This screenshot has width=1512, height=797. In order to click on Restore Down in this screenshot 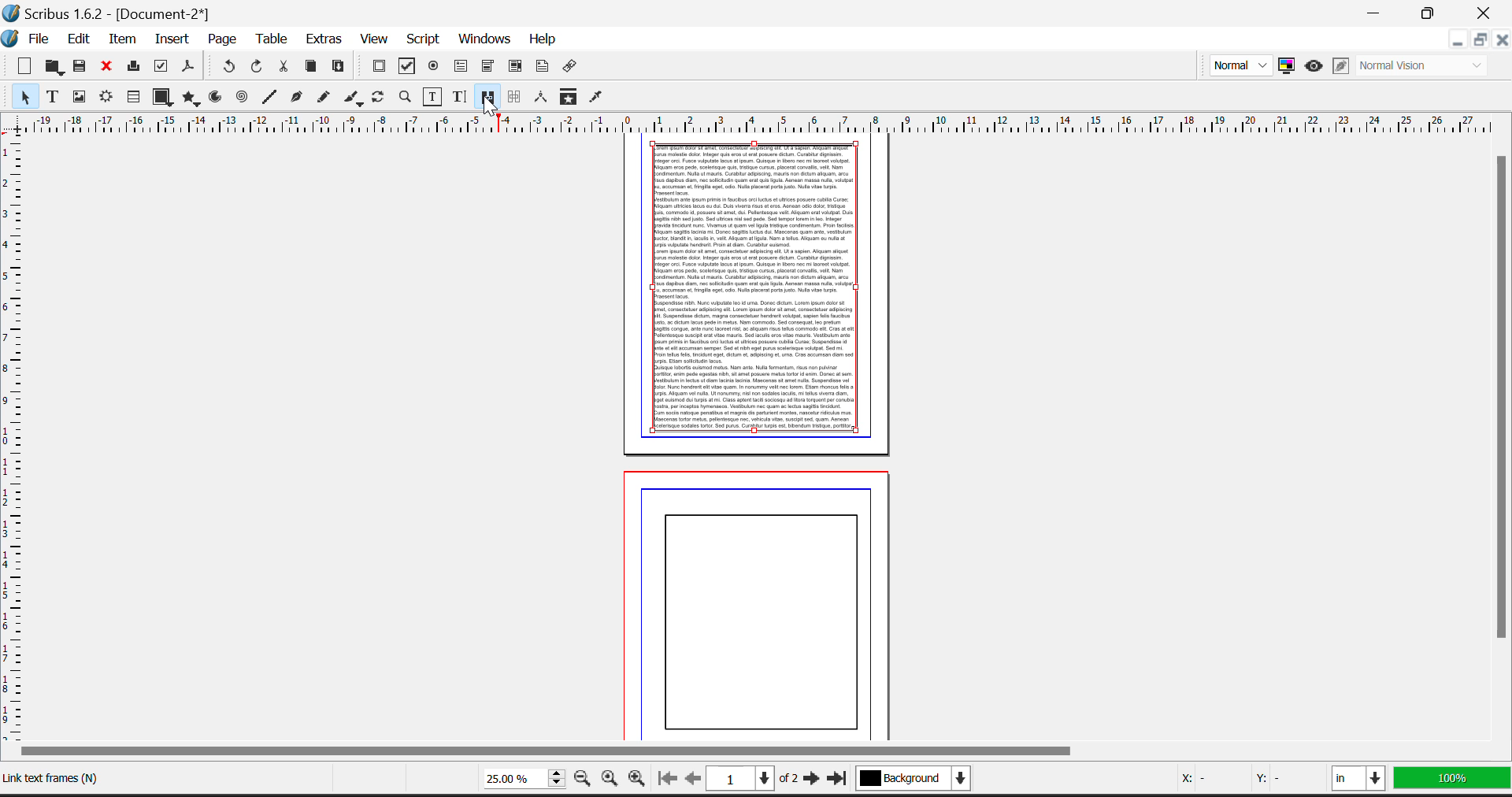, I will do `click(1456, 42)`.